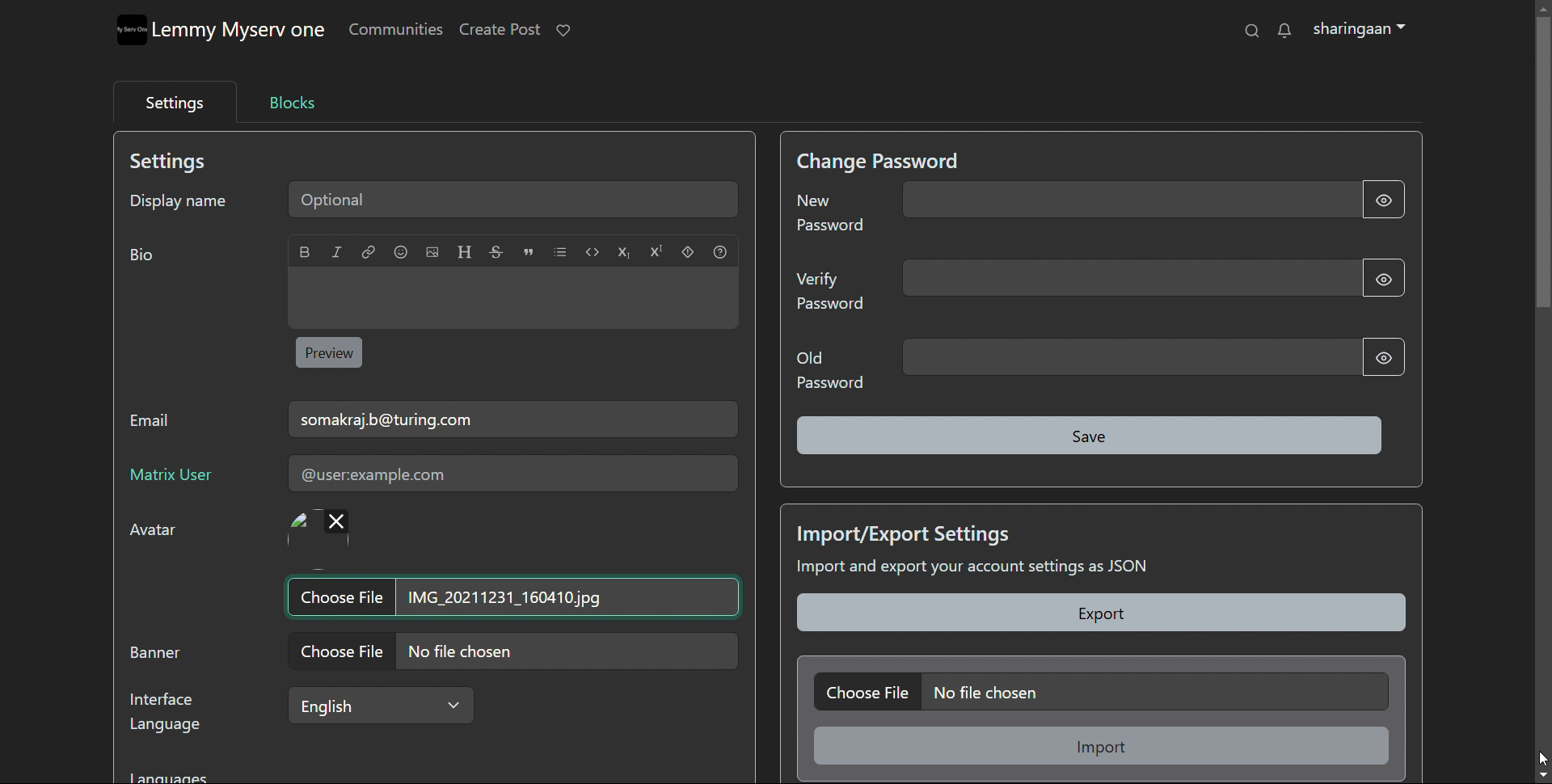  What do you see at coordinates (529, 253) in the screenshot?
I see `quote` at bounding box center [529, 253].